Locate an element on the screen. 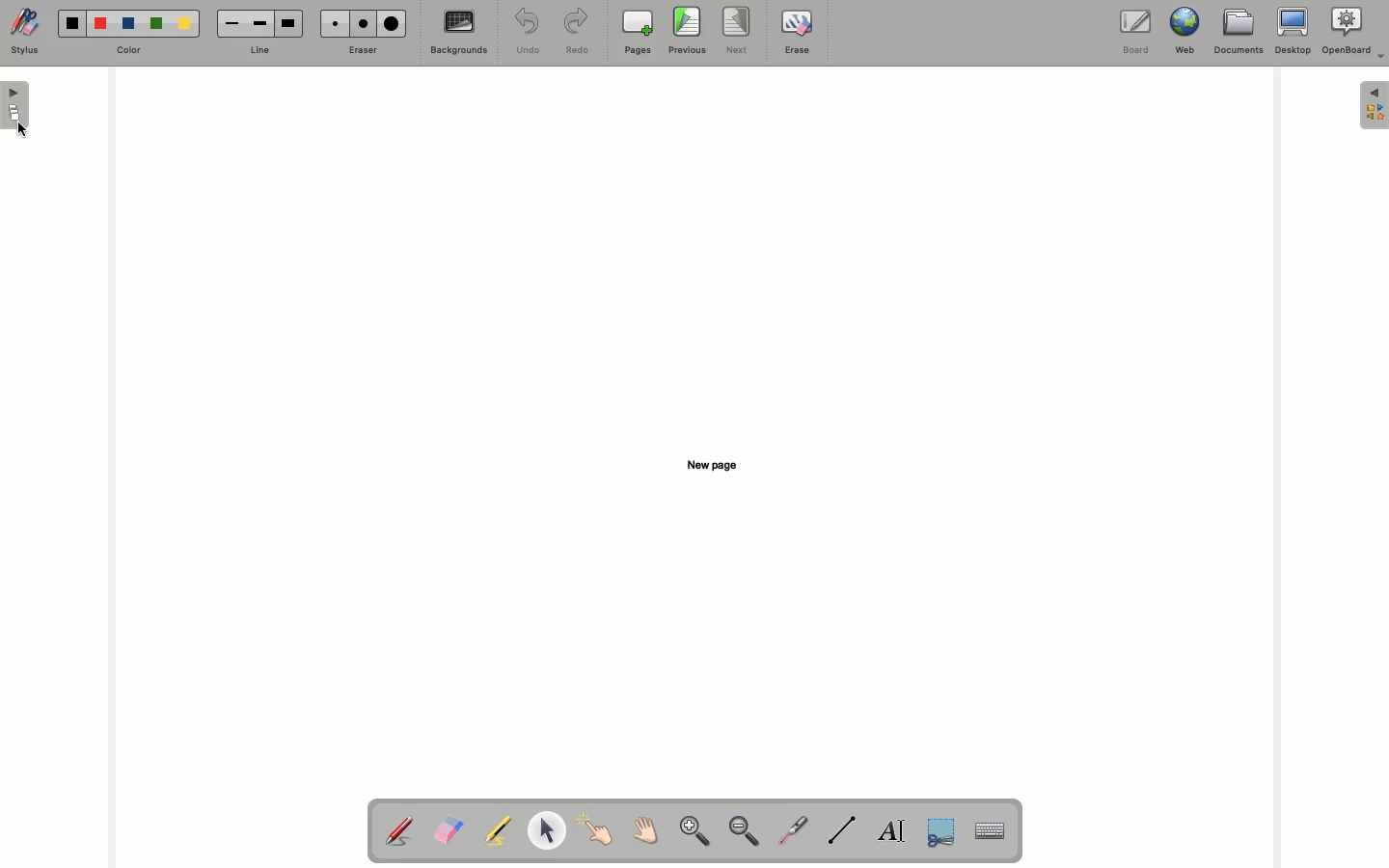 This screenshot has width=1389, height=868. Line is located at coordinates (256, 52).